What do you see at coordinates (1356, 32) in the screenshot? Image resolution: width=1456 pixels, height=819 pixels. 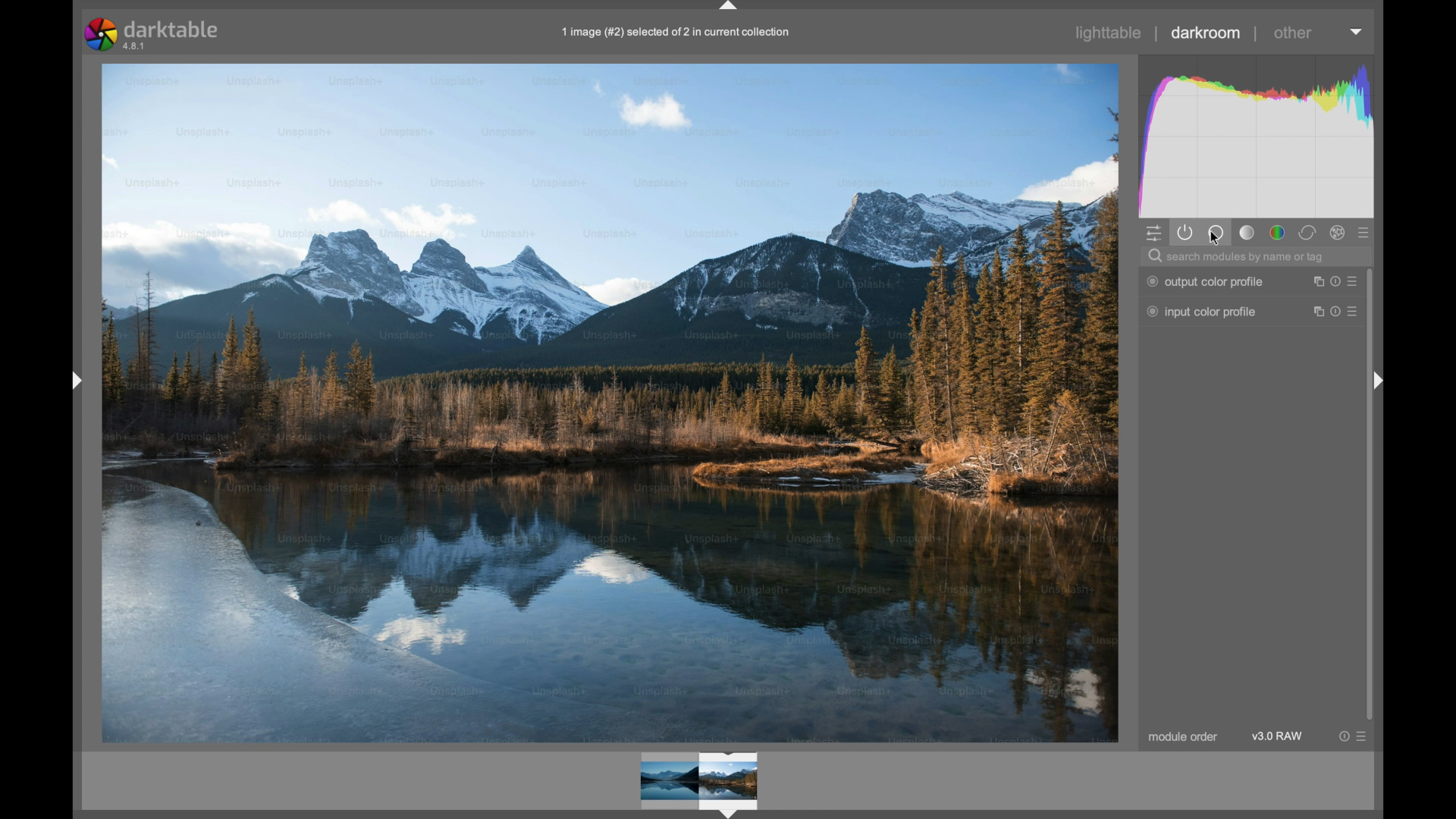 I see `dropdown` at bounding box center [1356, 32].